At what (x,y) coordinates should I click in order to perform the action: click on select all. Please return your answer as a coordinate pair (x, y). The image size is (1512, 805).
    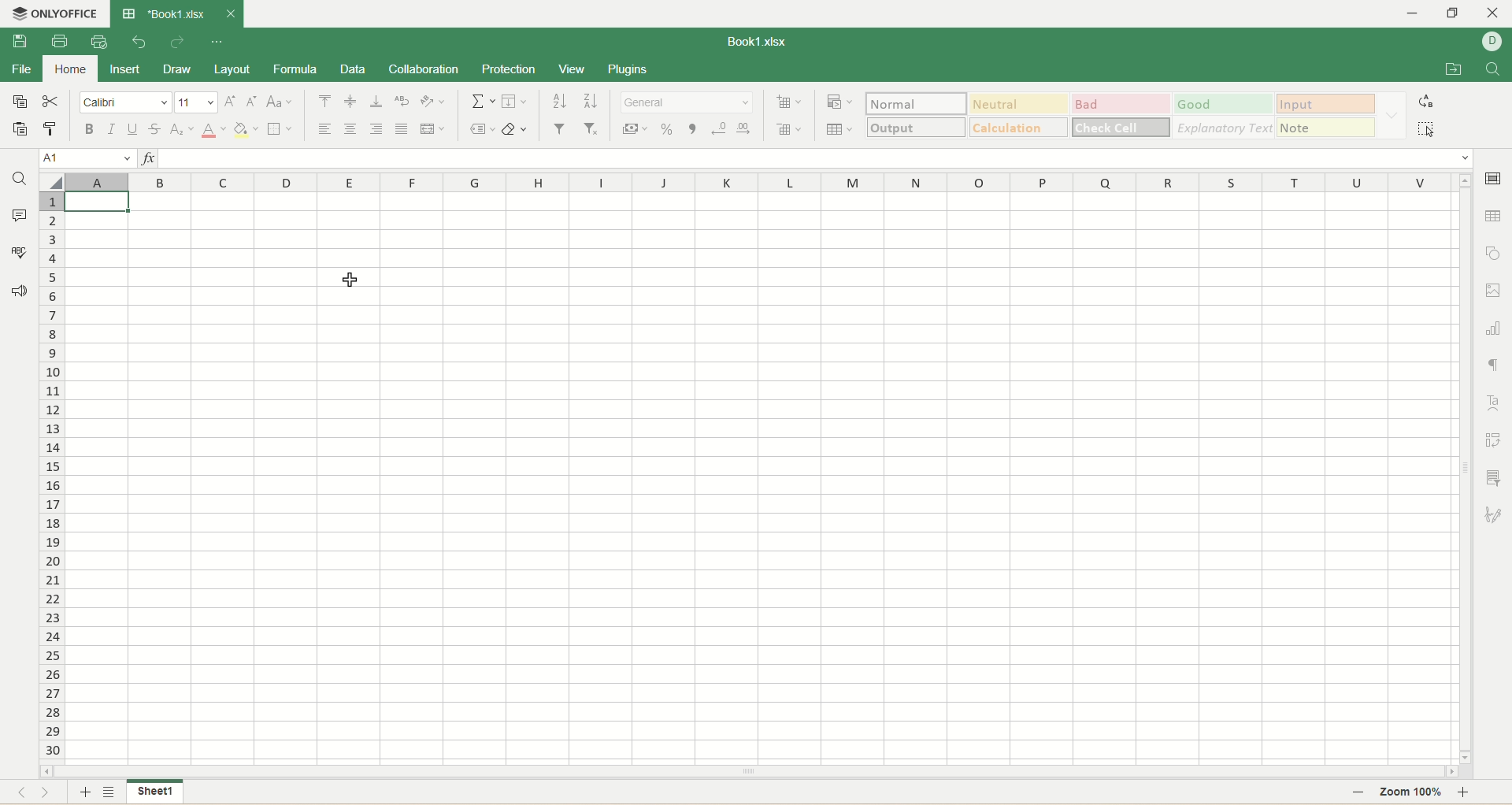
    Looking at the image, I should click on (1431, 133).